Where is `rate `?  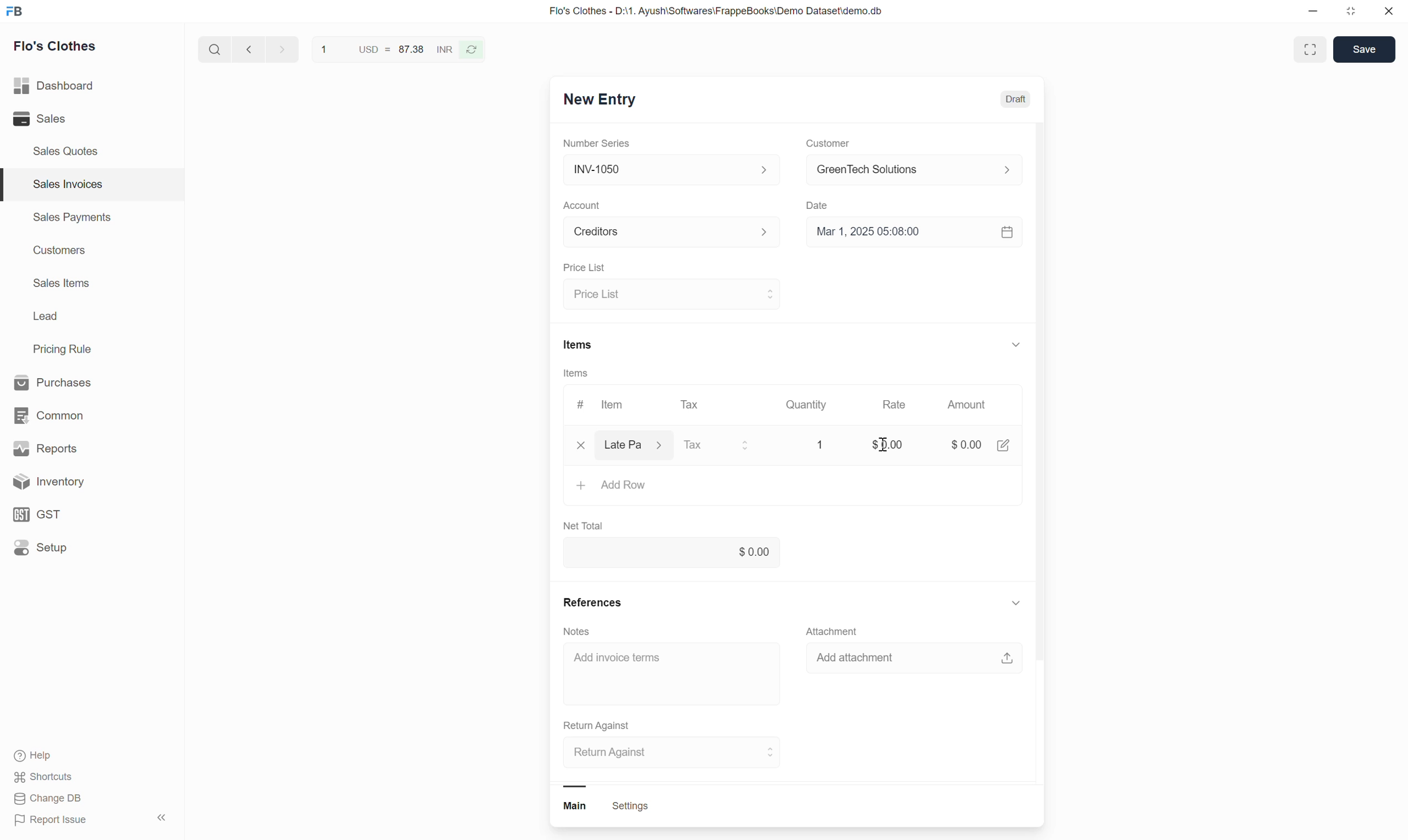 rate  is located at coordinates (883, 444).